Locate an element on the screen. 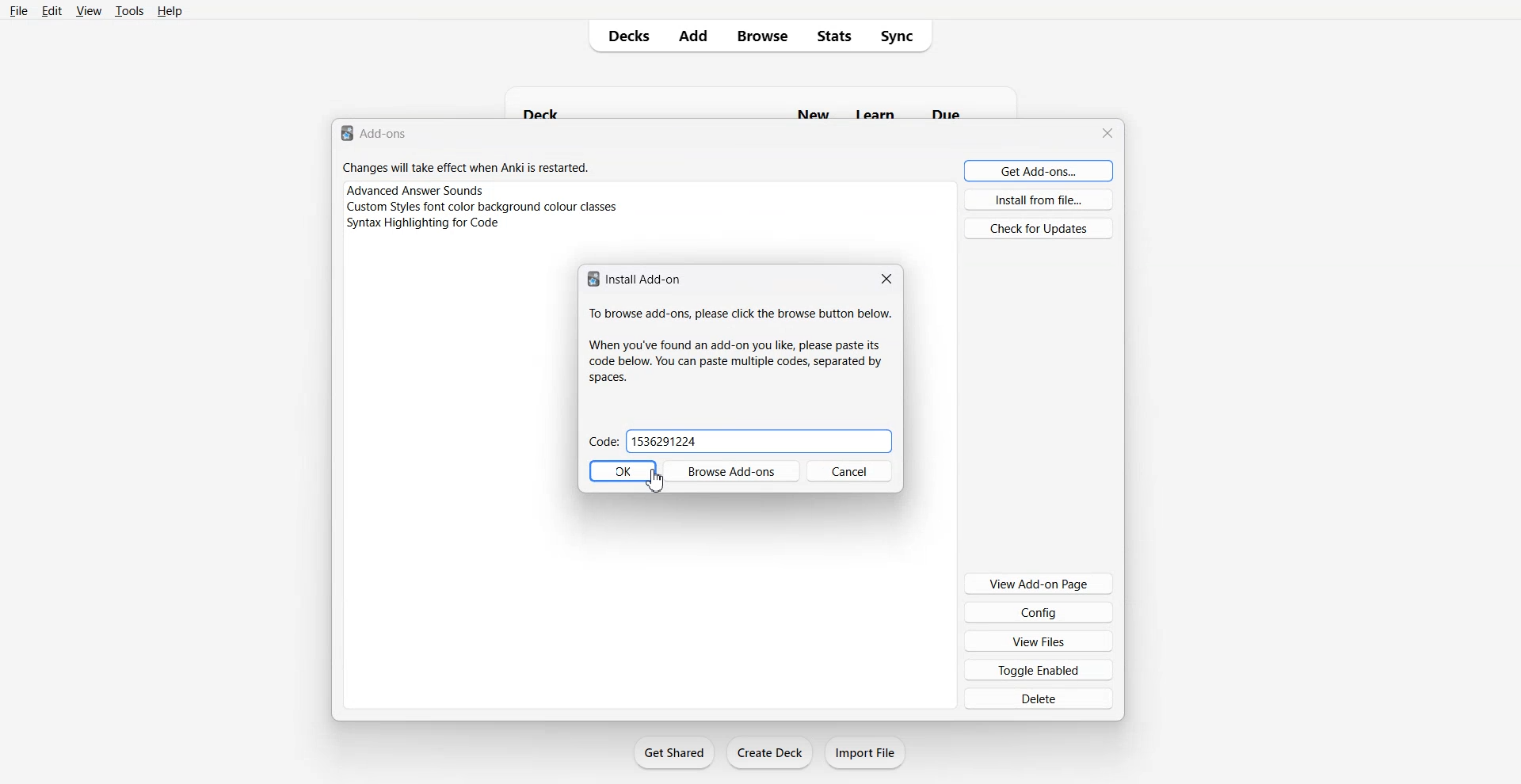 Image resolution: width=1521 pixels, height=784 pixels. Number is located at coordinates (760, 441).